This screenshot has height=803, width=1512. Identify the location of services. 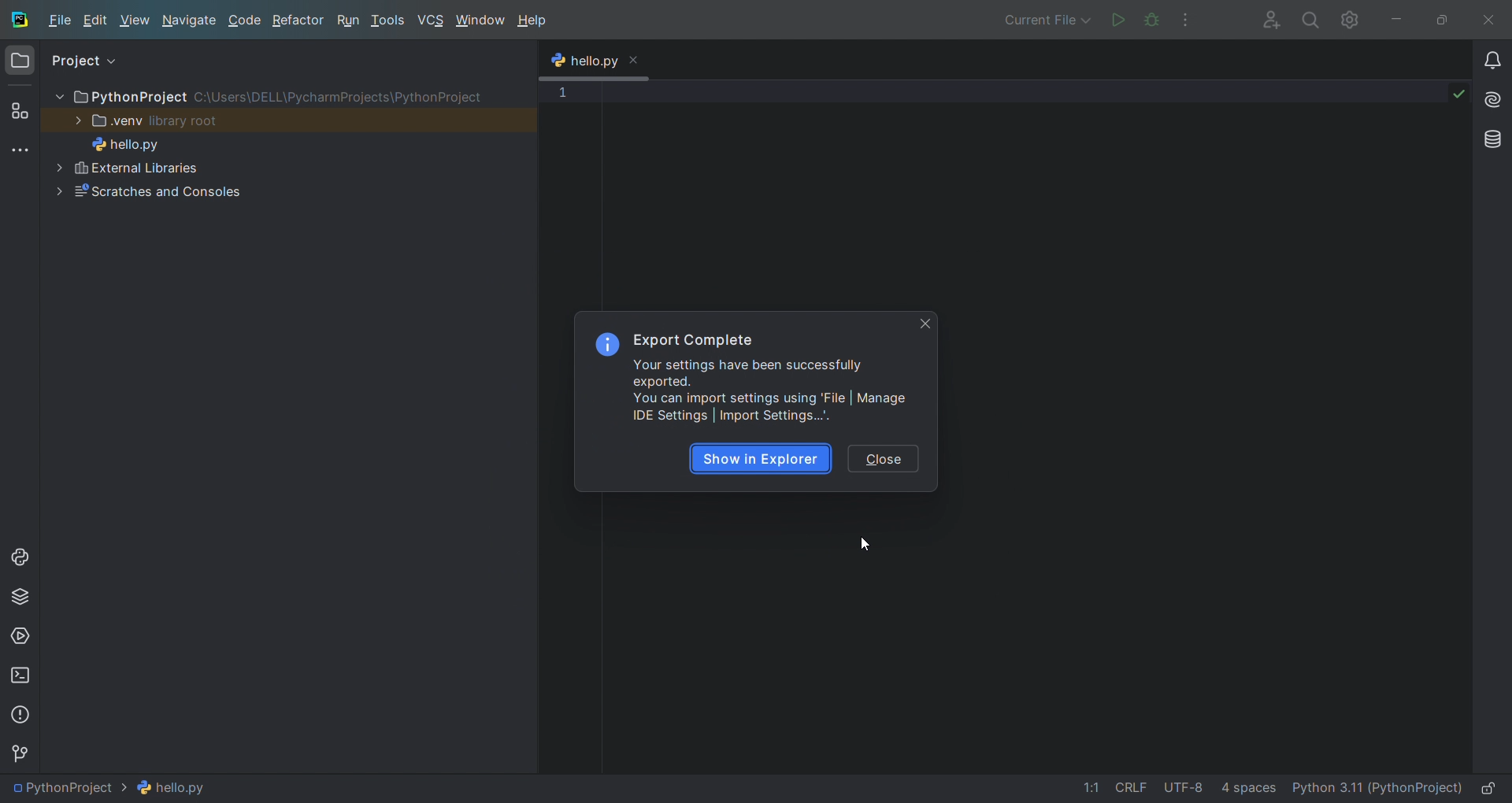
(20, 638).